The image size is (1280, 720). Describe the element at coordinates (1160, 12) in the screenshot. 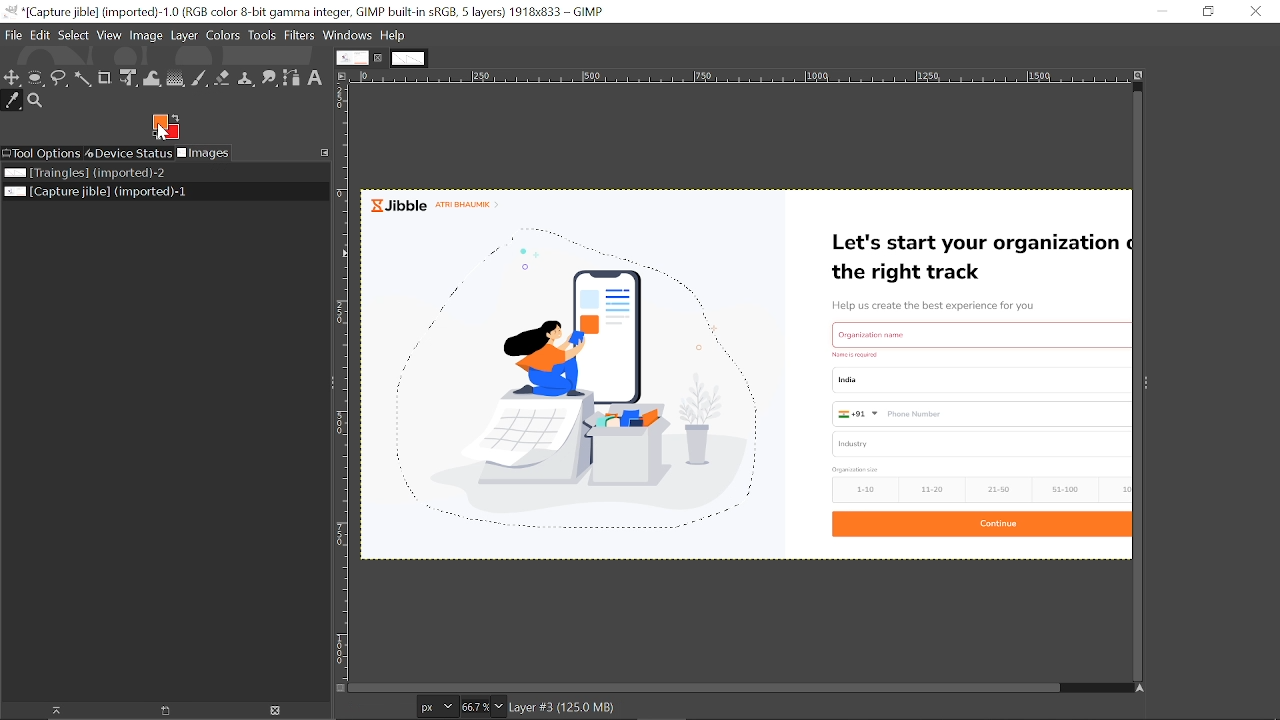

I see `Minimize` at that location.